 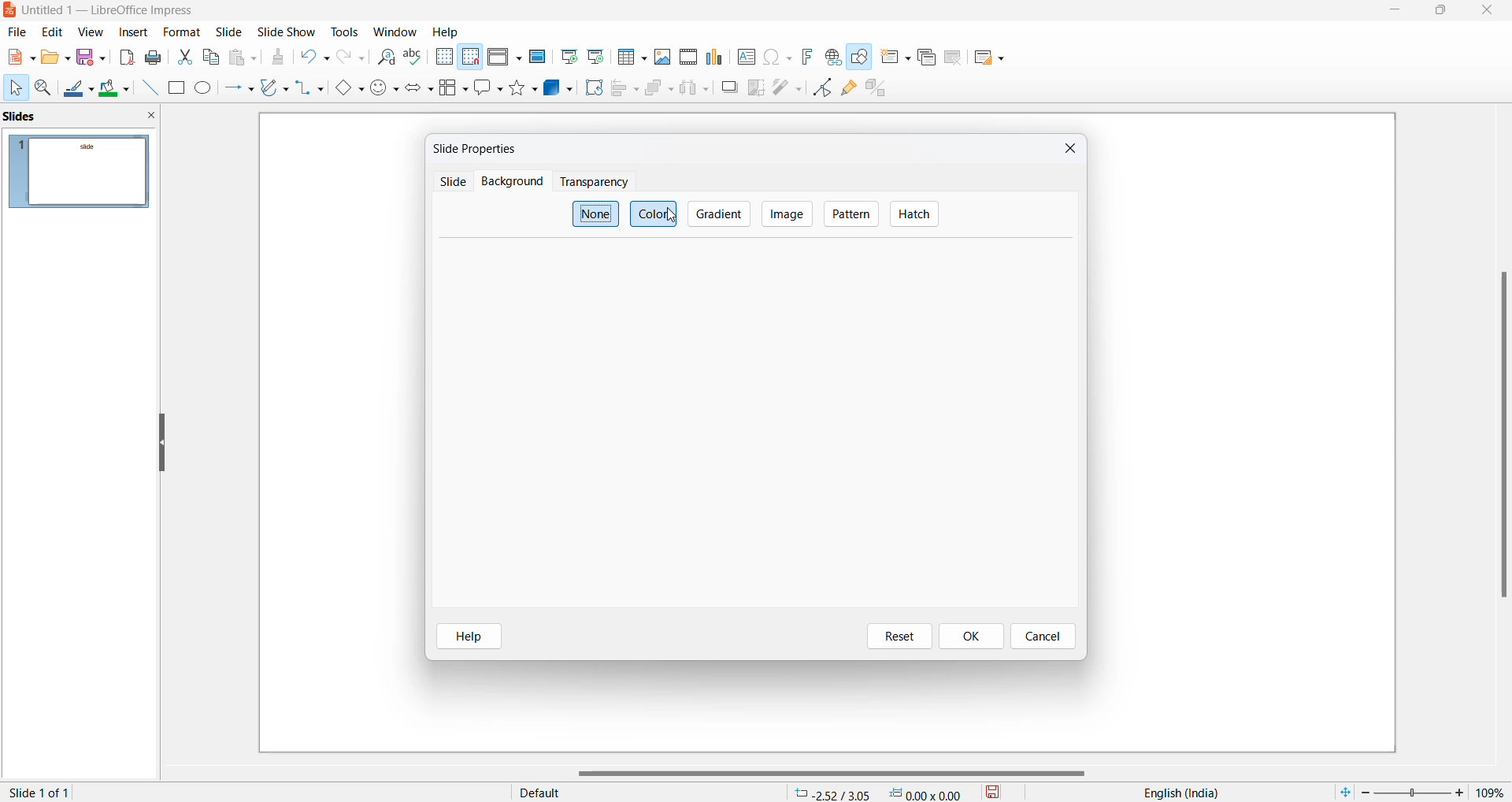 I want to click on close, so click(x=1397, y=12).